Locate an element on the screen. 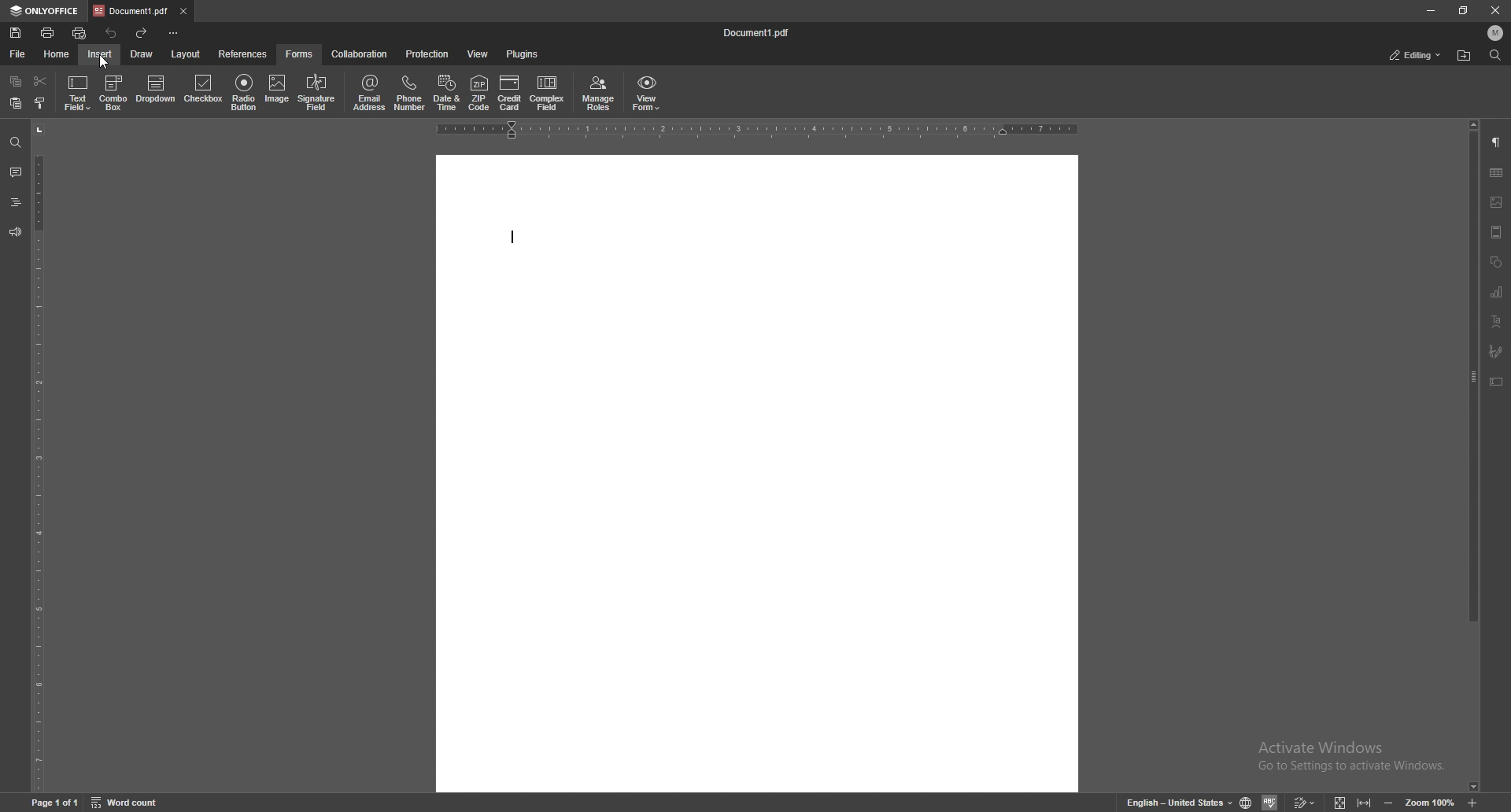 The width and height of the screenshot is (1511, 812). paintbrush is located at coordinates (1498, 350).